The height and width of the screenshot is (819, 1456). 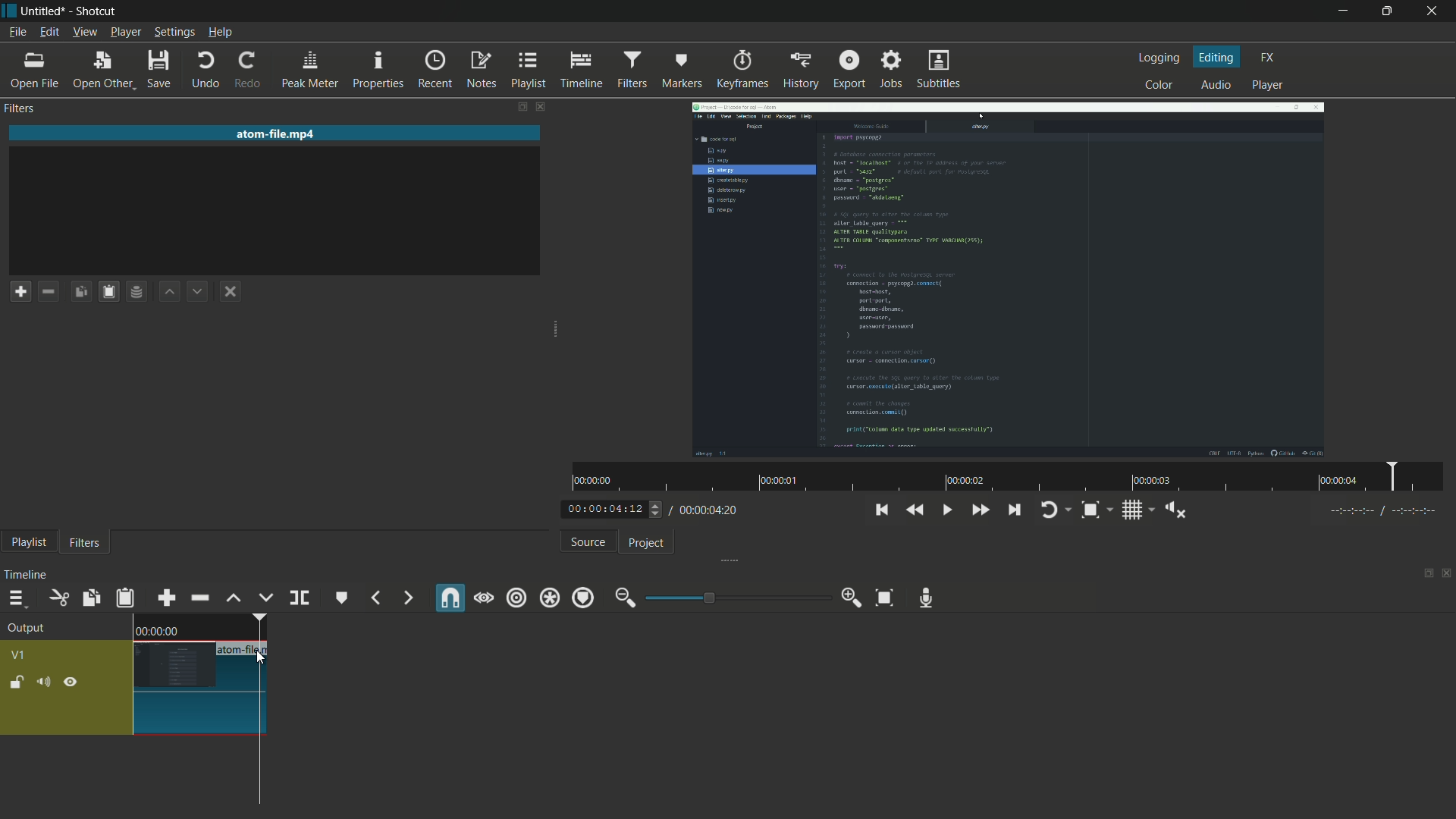 I want to click on playlist, so click(x=526, y=68).